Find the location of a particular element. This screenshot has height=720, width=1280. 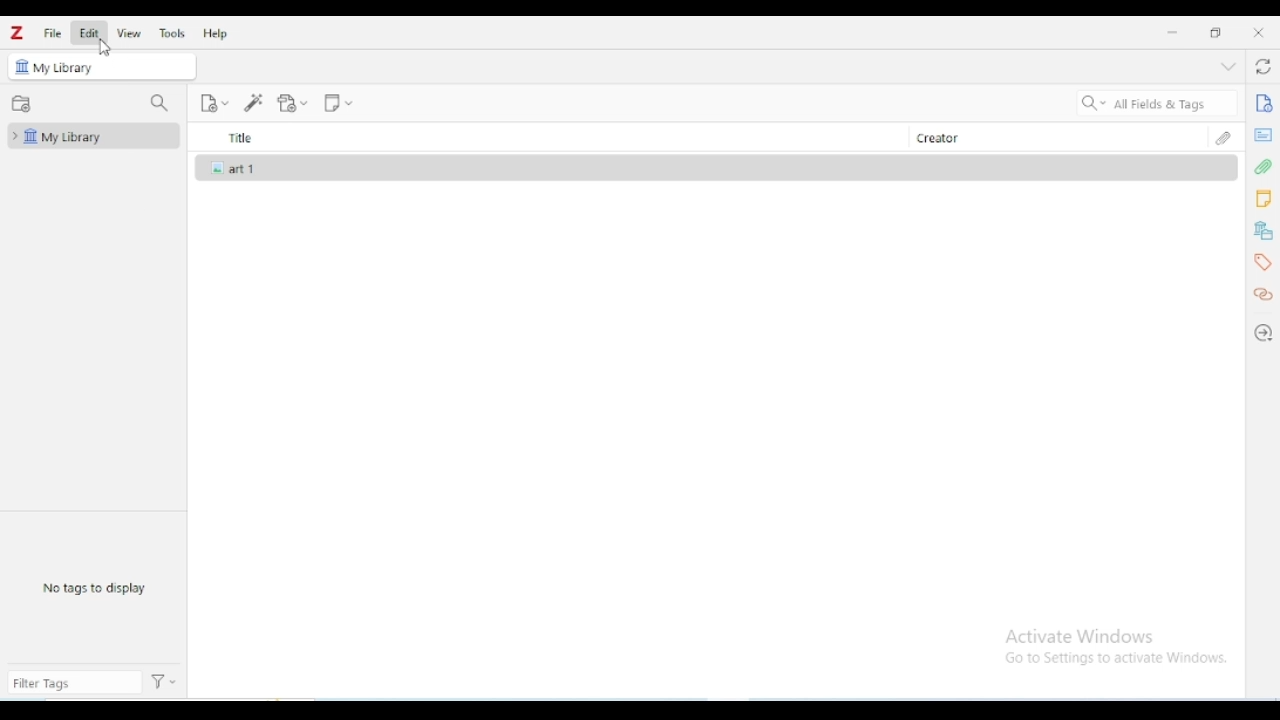

no tags to display is located at coordinates (94, 587).